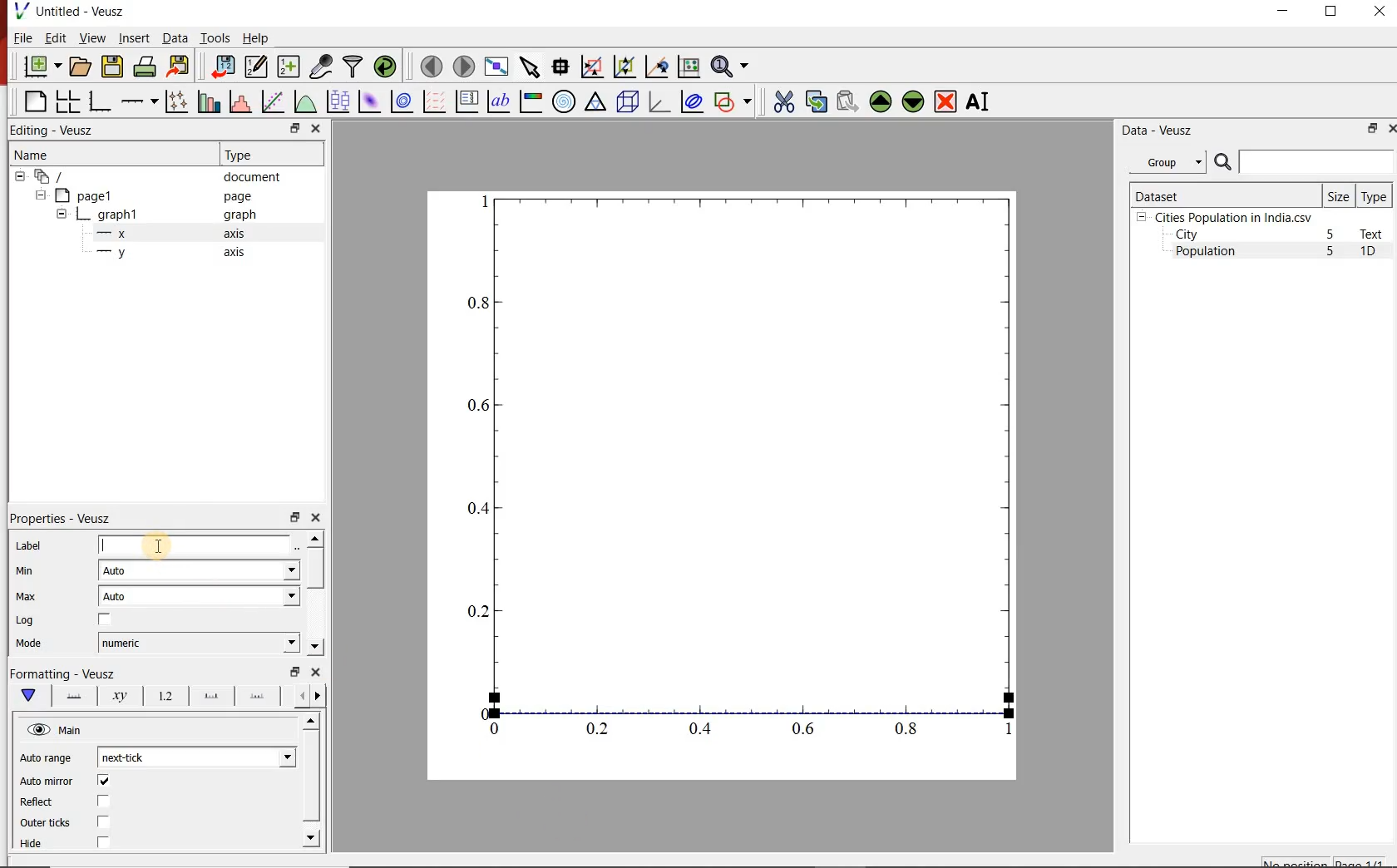  Describe the element at coordinates (73, 698) in the screenshot. I see `Axis line` at that location.